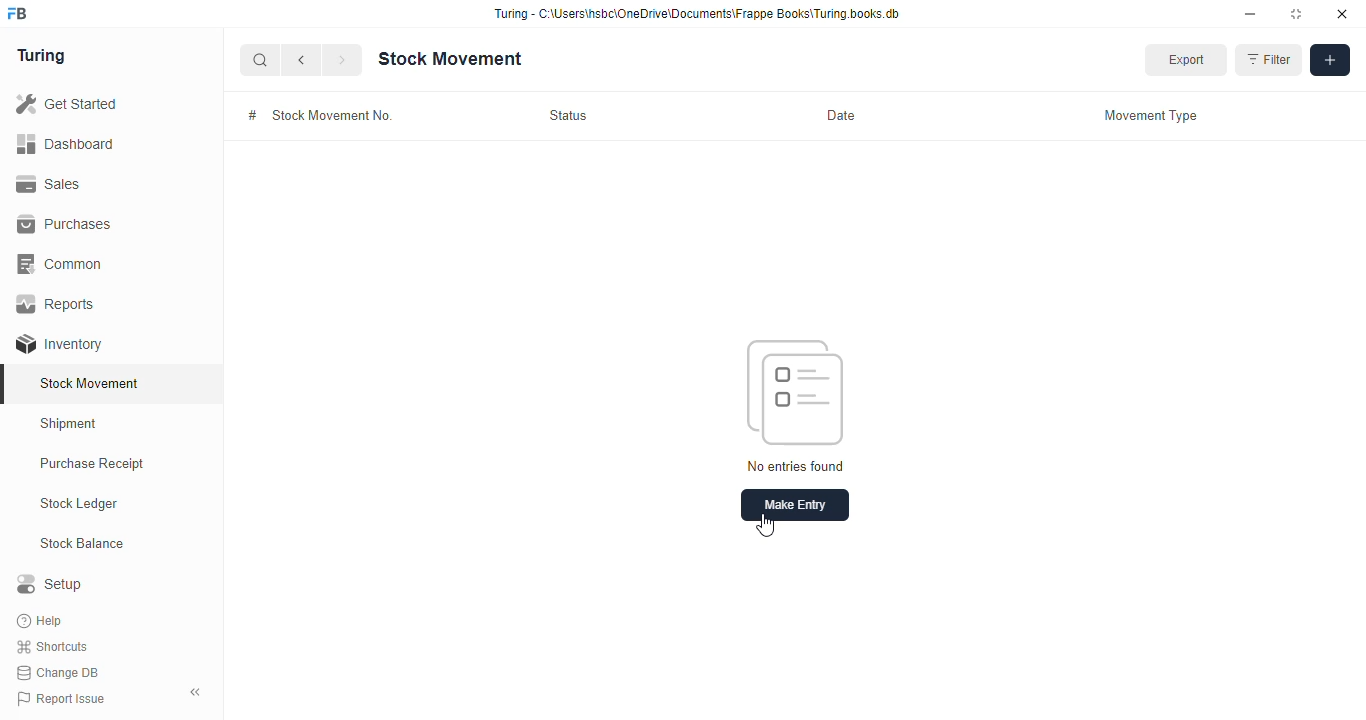  What do you see at coordinates (1269, 60) in the screenshot?
I see `filter` at bounding box center [1269, 60].